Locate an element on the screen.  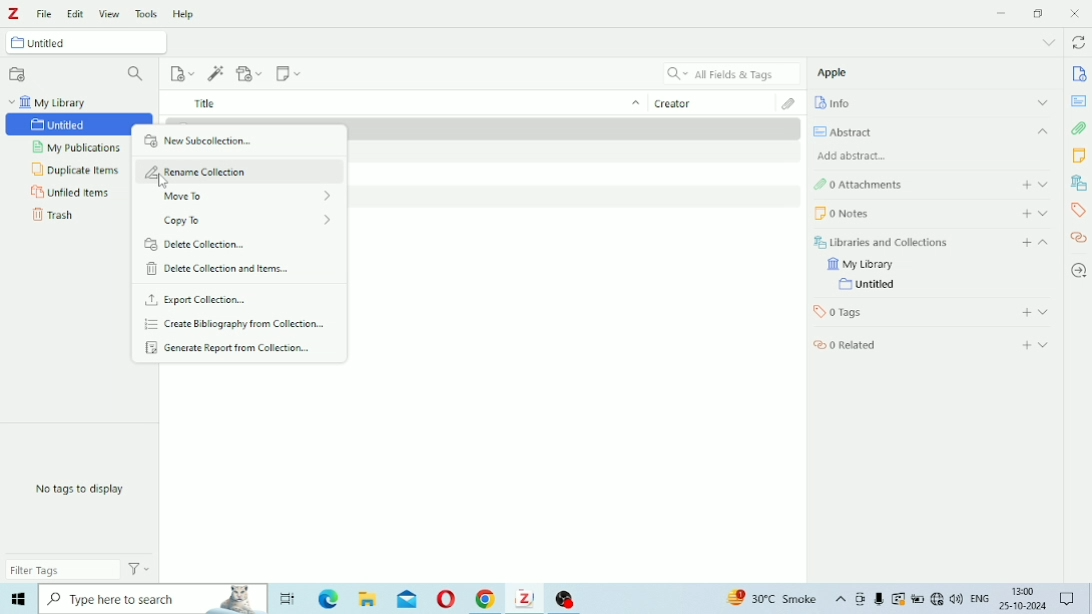
Info is located at coordinates (931, 103).